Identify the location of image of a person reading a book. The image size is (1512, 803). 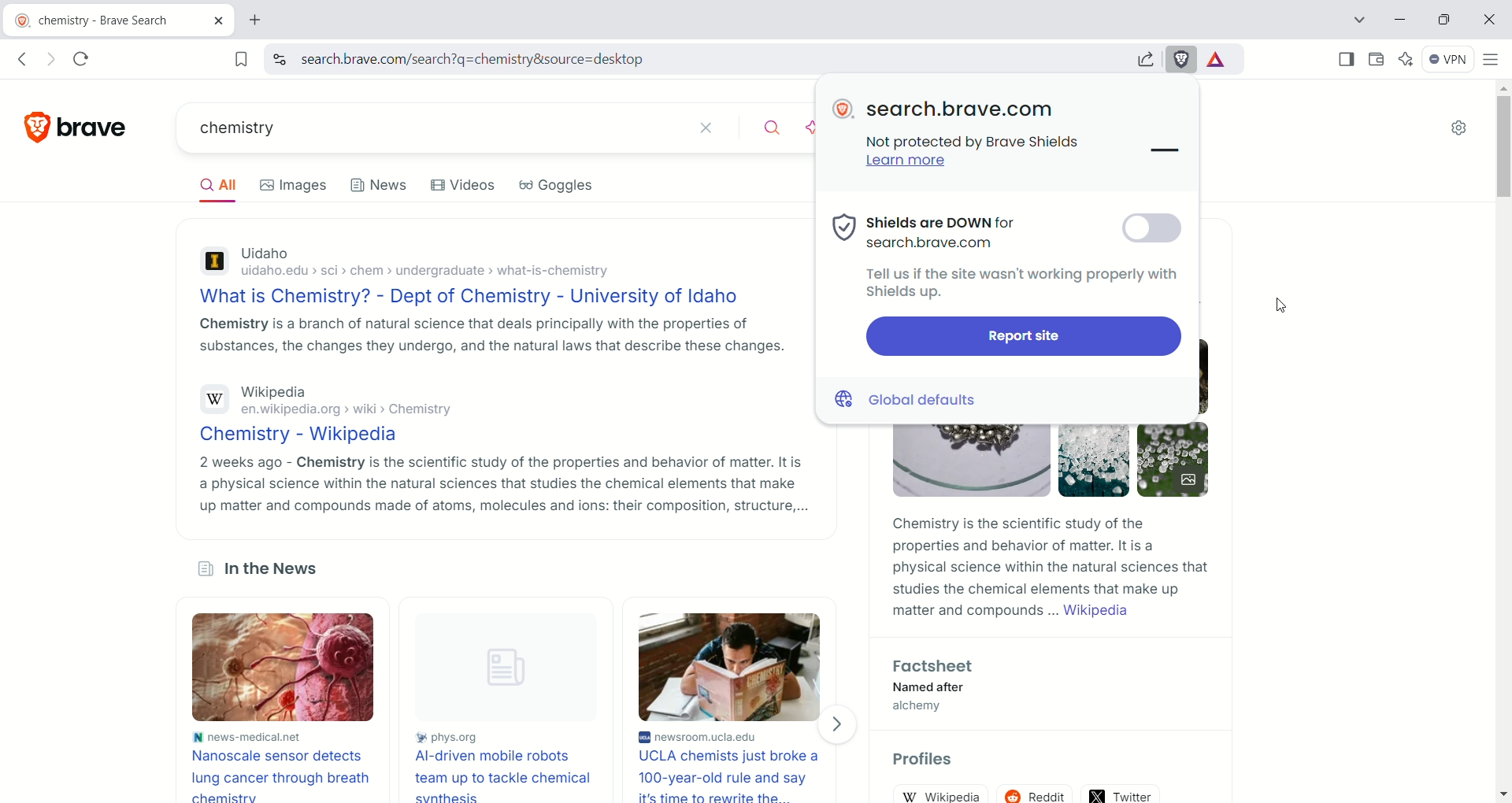
(732, 665).